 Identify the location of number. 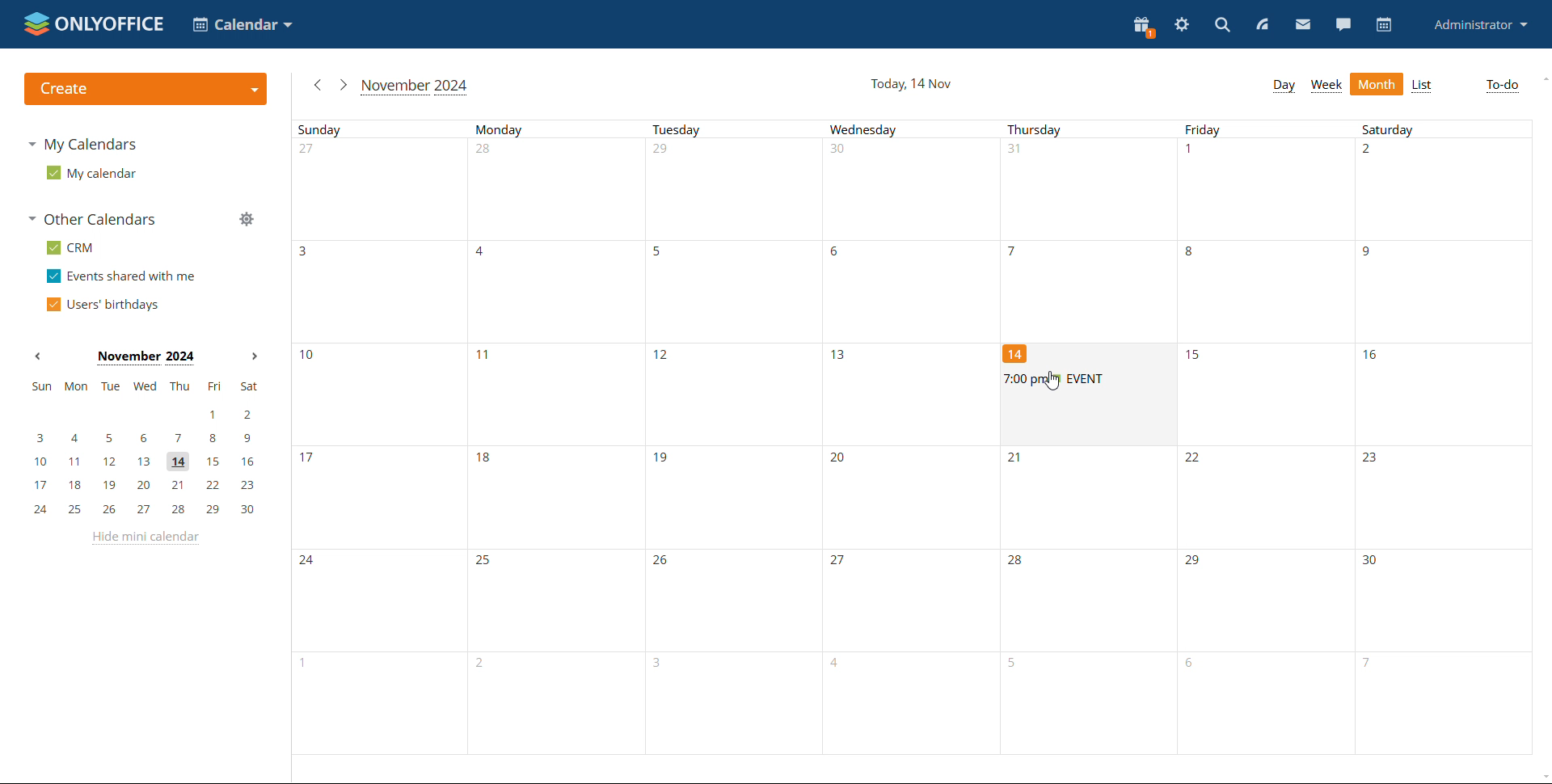
(314, 152).